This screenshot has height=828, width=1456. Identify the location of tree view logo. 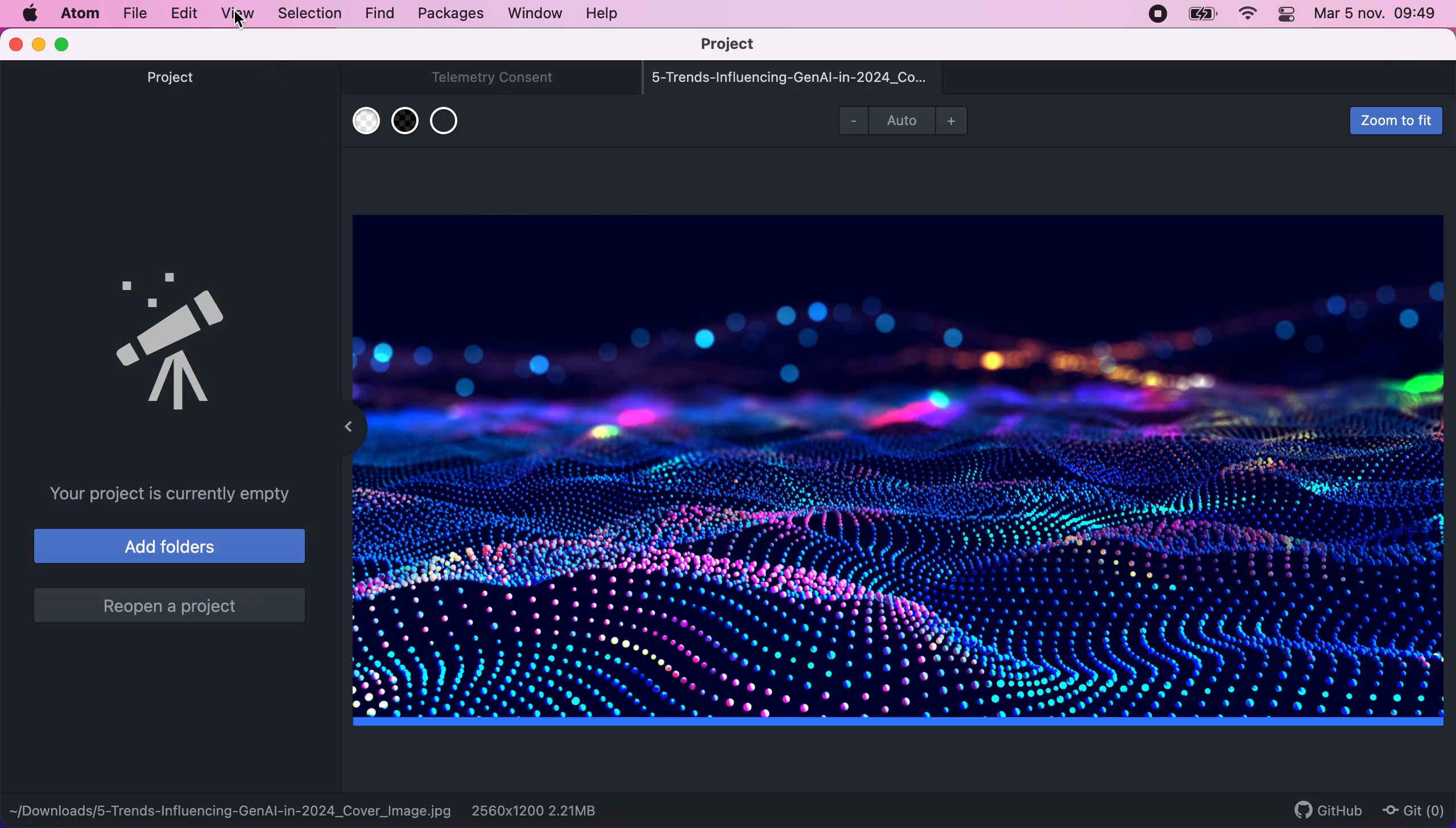
(167, 338).